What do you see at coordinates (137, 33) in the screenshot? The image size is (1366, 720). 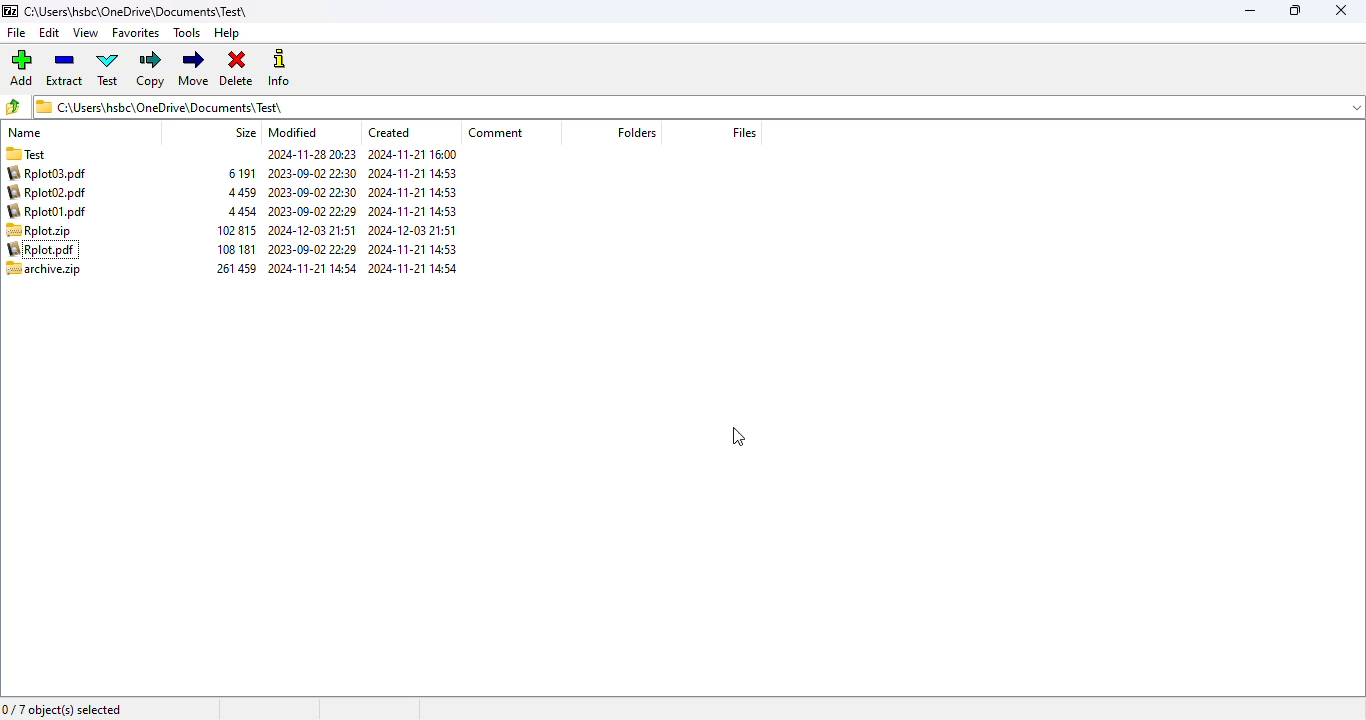 I see `favorites` at bounding box center [137, 33].